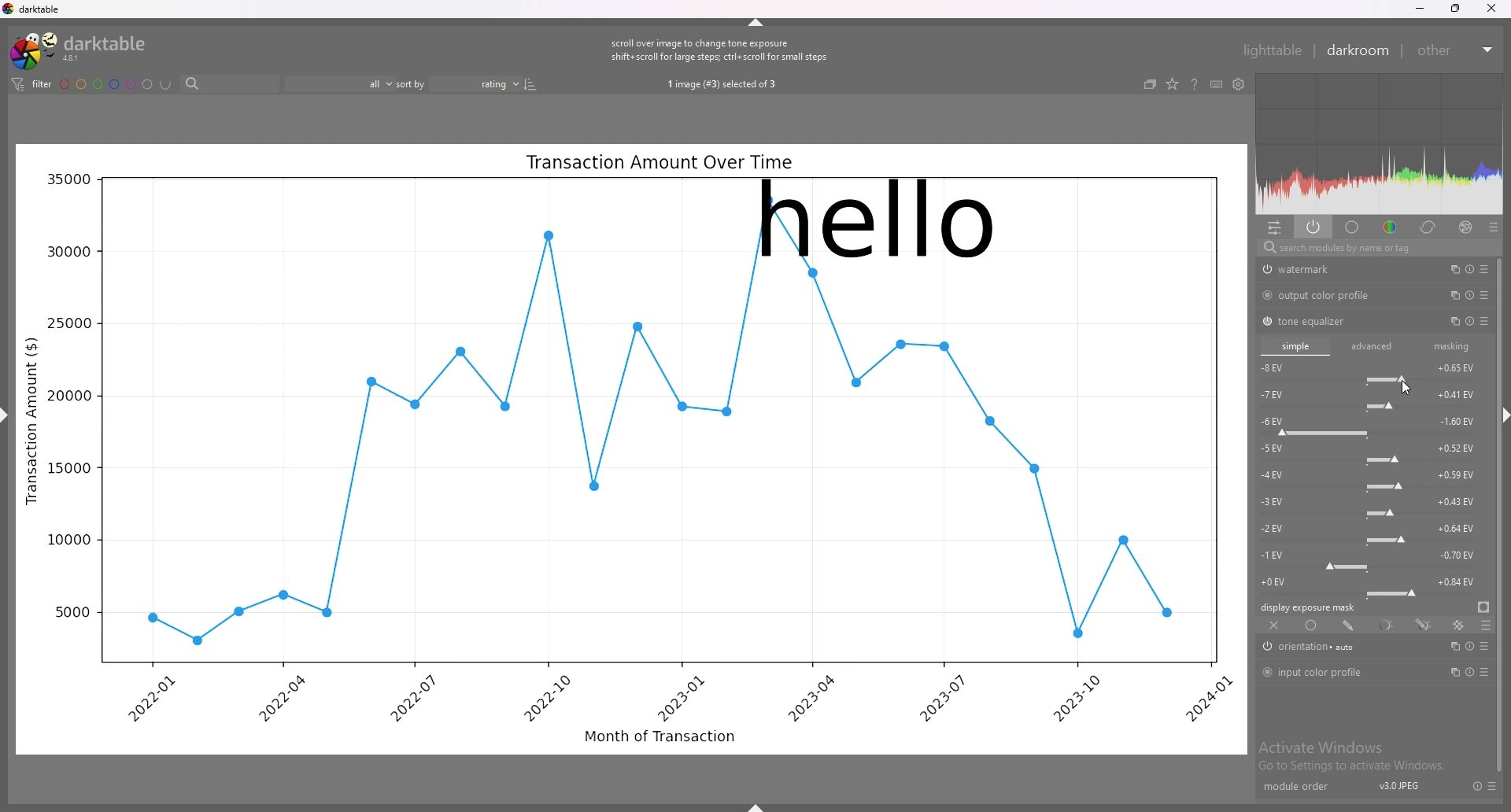 This screenshot has height=812, width=1511. What do you see at coordinates (1491, 786) in the screenshot?
I see `presets` at bounding box center [1491, 786].